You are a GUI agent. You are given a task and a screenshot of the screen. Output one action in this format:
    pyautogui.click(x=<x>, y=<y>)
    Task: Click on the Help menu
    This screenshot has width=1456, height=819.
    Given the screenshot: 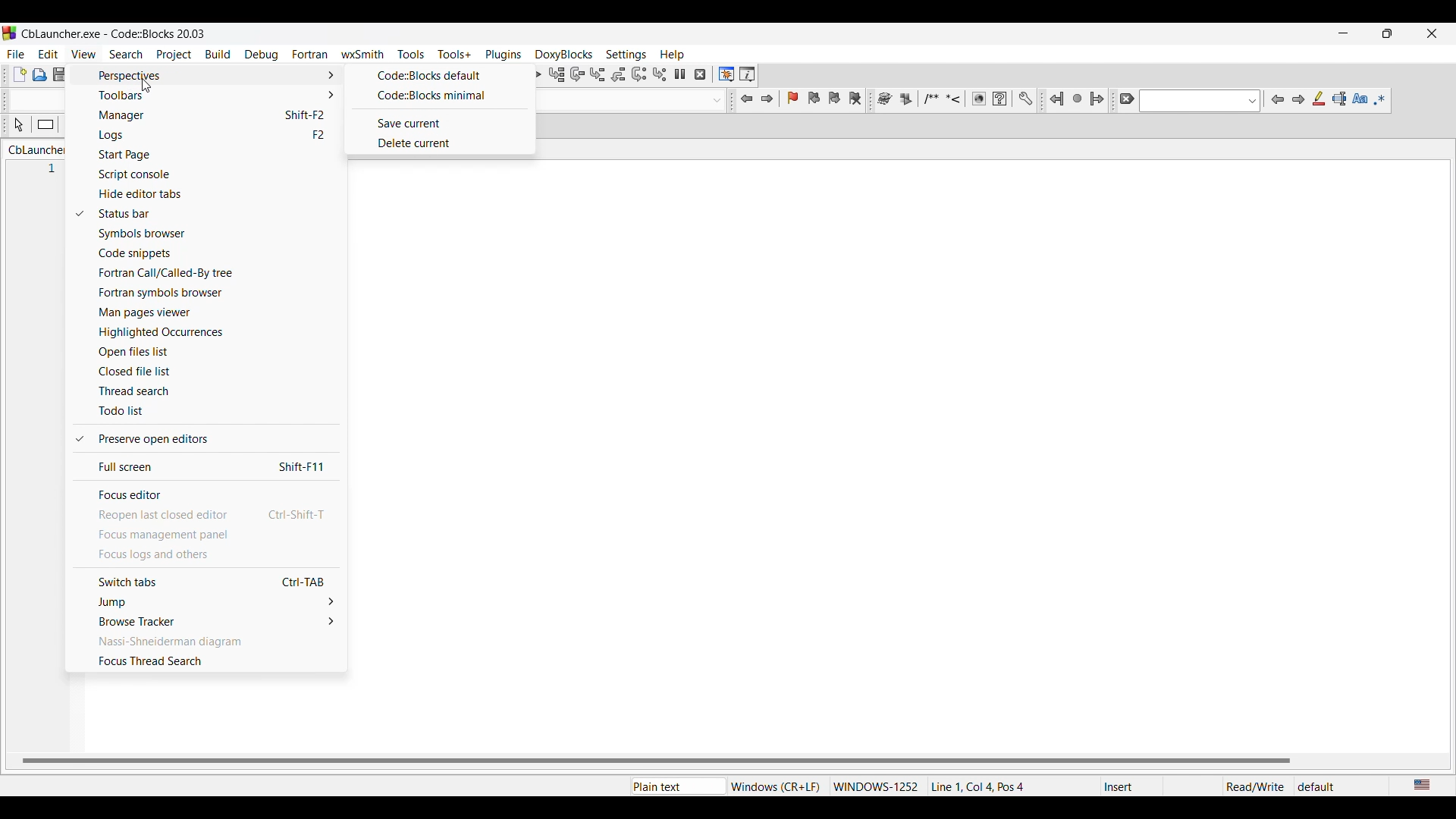 What is the action you would take?
    pyautogui.click(x=673, y=55)
    